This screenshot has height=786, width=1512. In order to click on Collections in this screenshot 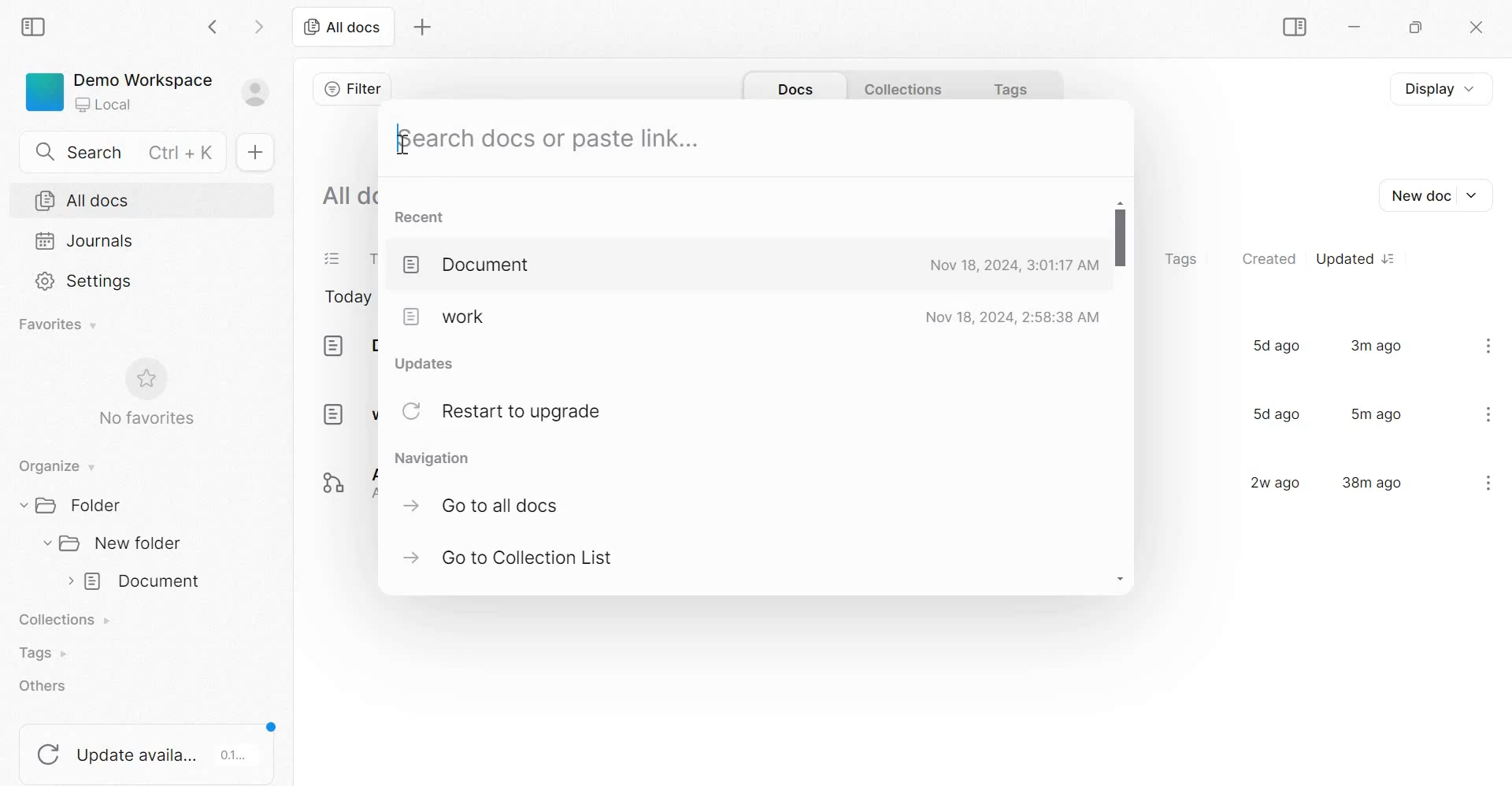, I will do `click(69, 621)`.